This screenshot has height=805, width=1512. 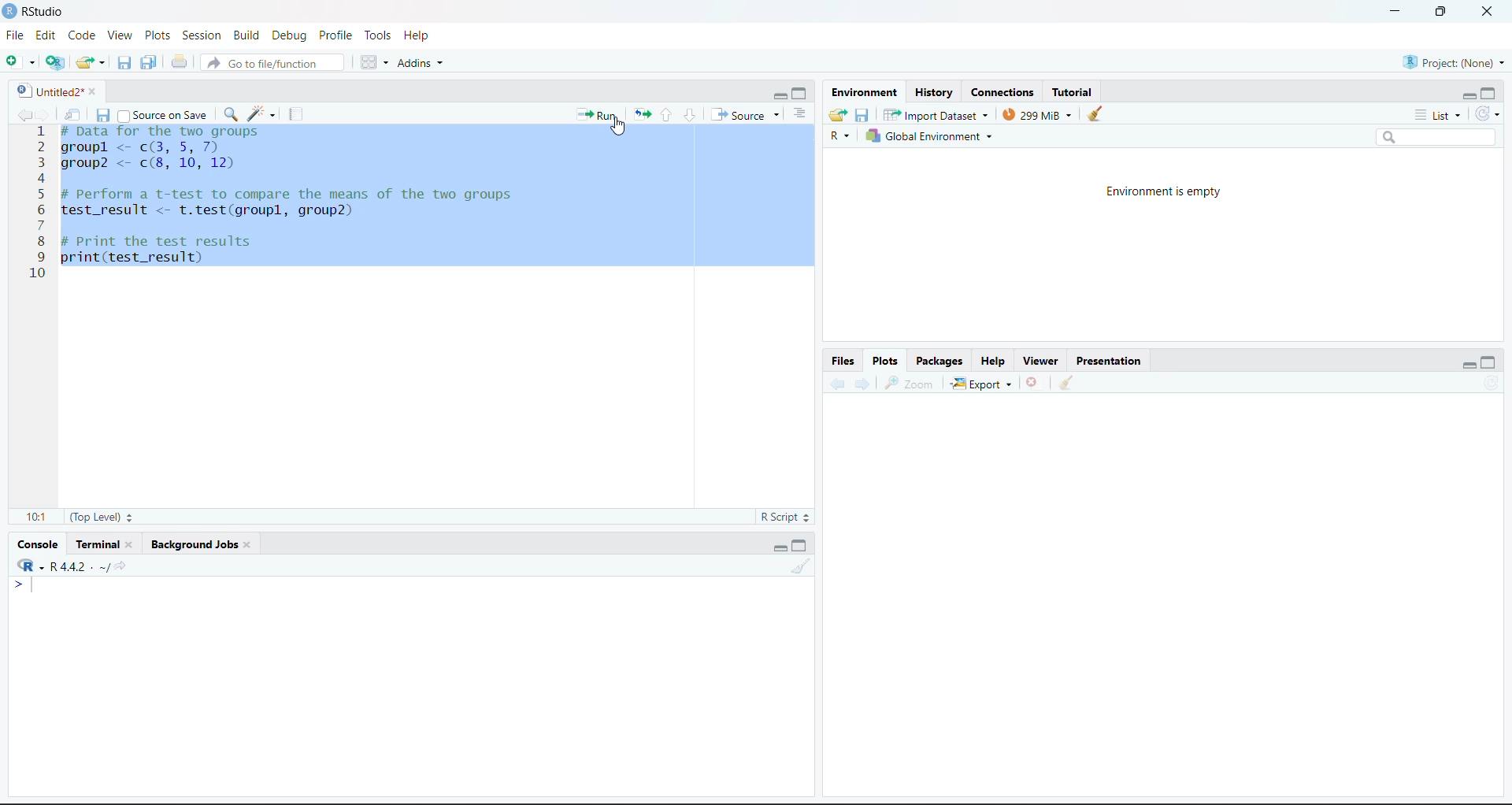 What do you see at coordinates (246, 35) in the screenshot?
I see `Build` at bounding box center [246, 35].